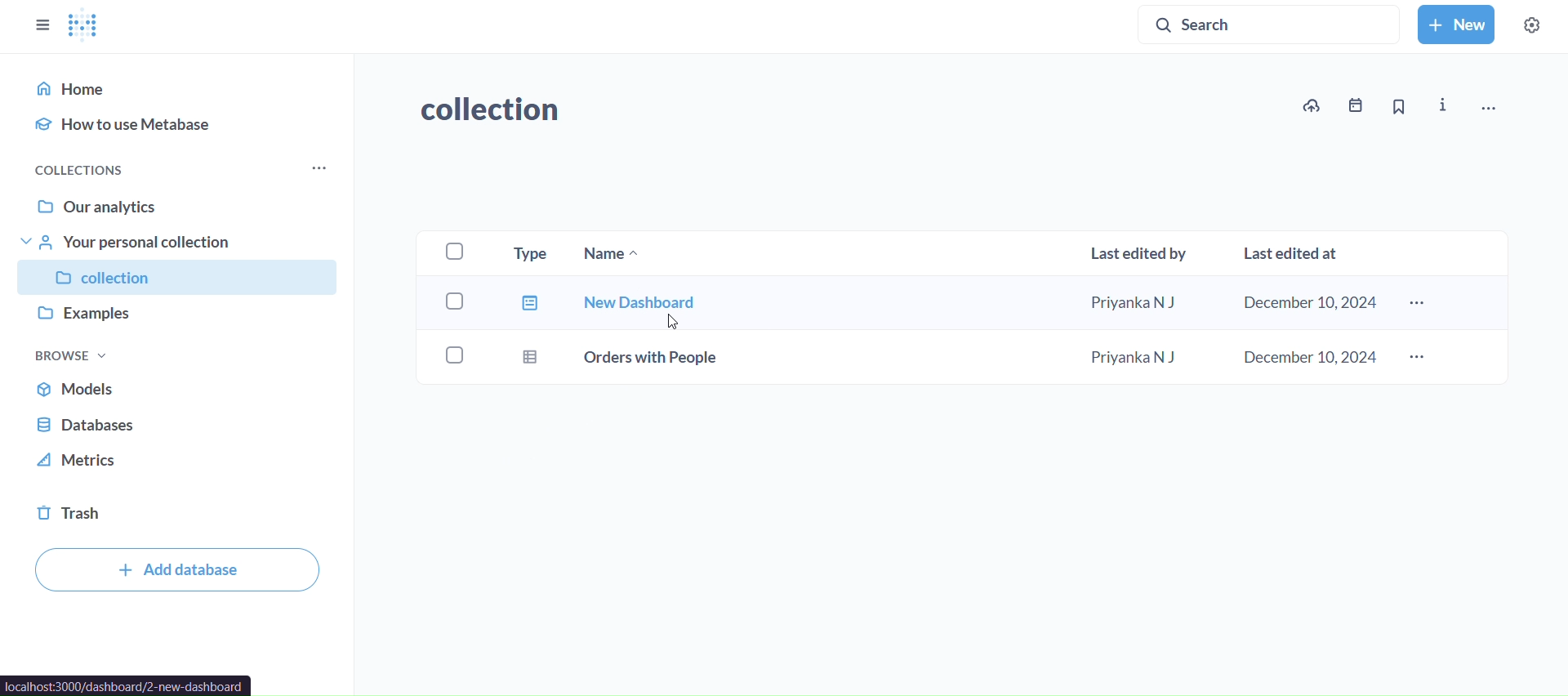 This screenshot has width=1568, height=696. I want to click on our analytics, so click(187, 206).